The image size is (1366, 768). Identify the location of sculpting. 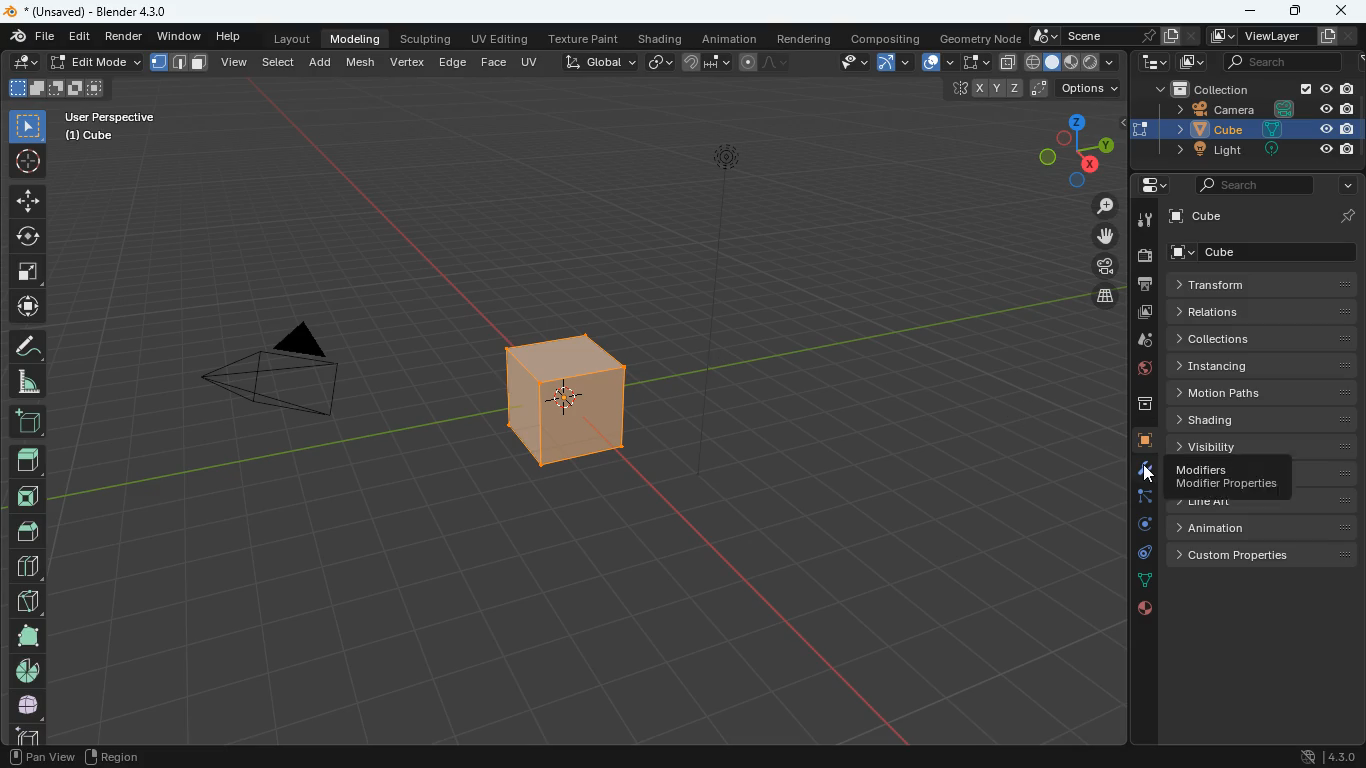
(429, 39).